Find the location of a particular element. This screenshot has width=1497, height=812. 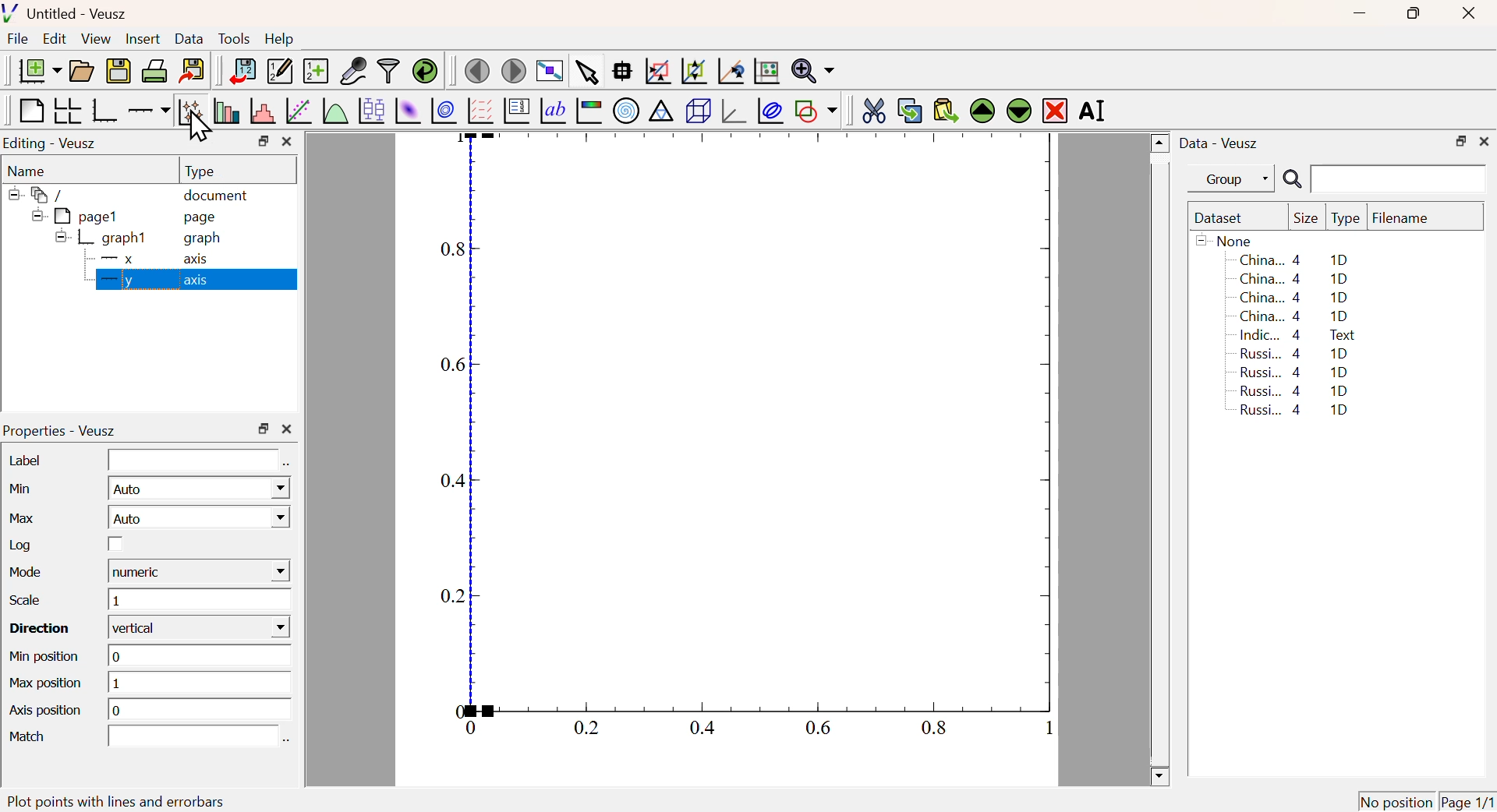

Label is located at coordinates (27, 460).